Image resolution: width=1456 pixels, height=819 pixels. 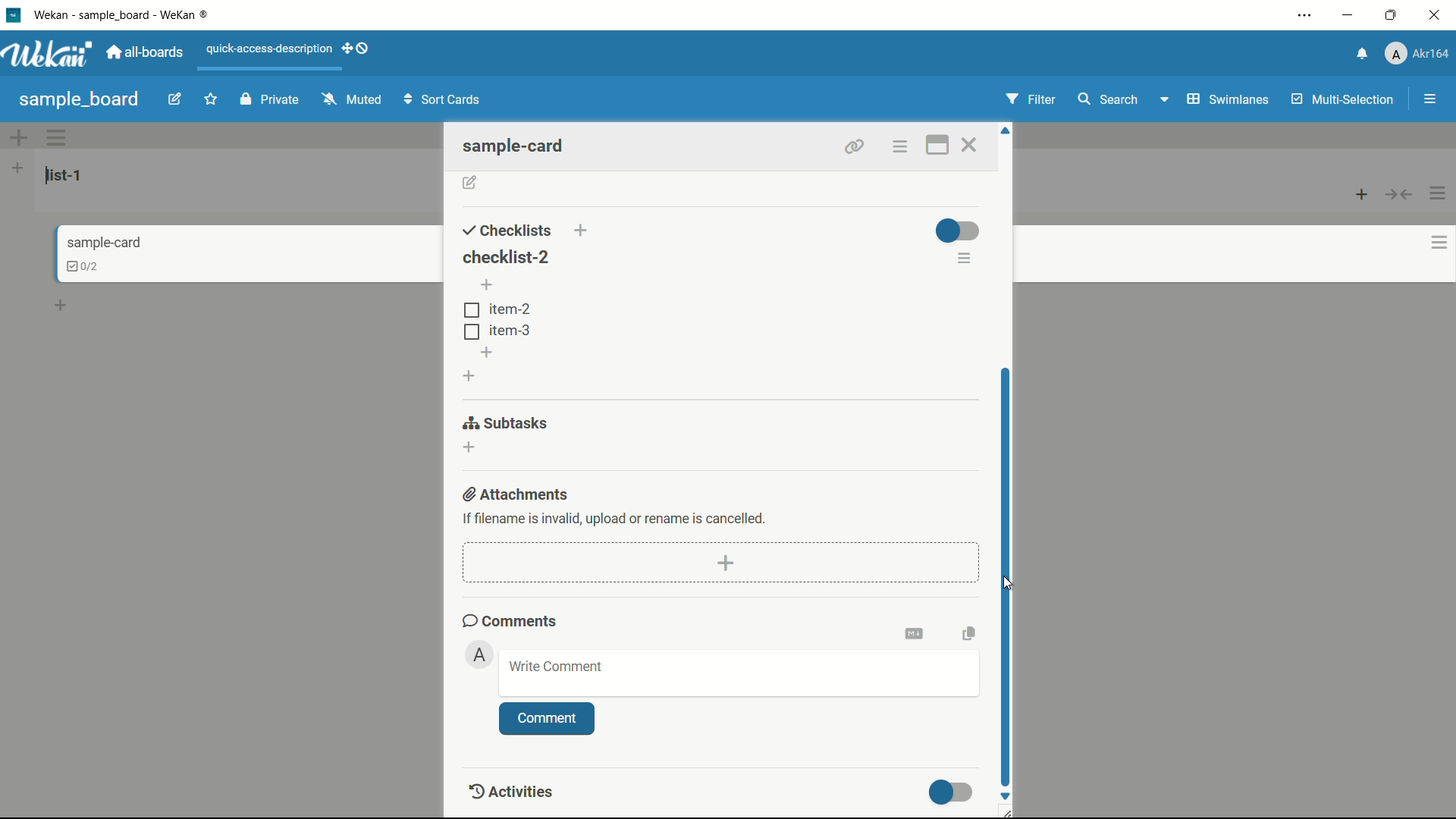 I want to click on tem-3, so click(x=497, y=331).